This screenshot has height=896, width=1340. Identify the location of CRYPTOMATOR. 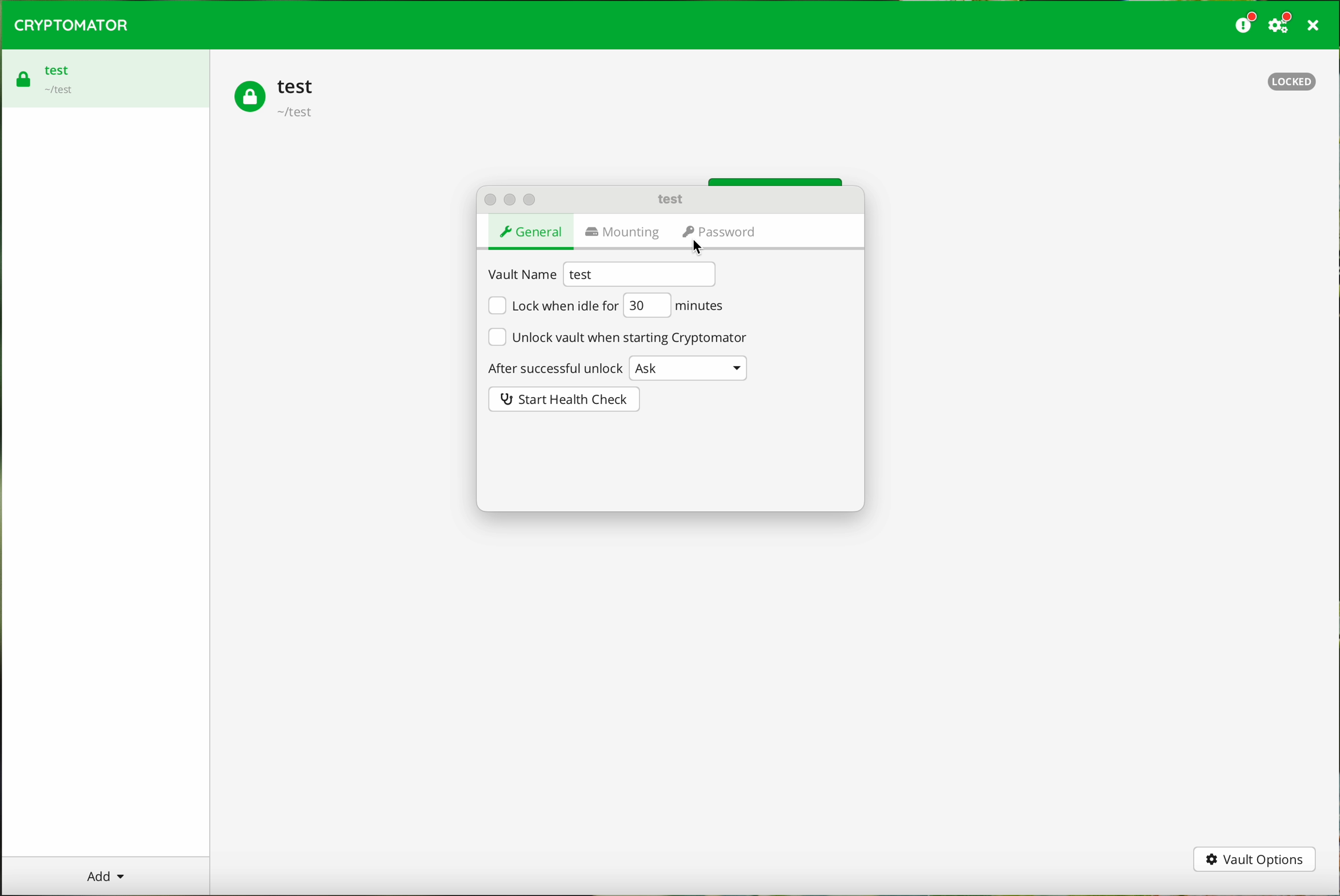
(72, 25).